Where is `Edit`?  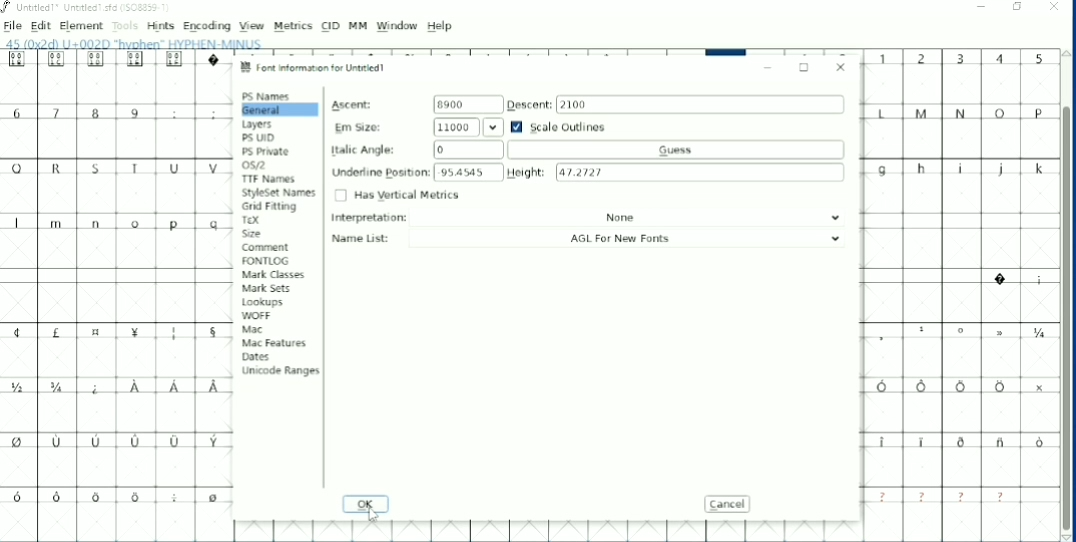
Edit is located at coordinates (41, 26).